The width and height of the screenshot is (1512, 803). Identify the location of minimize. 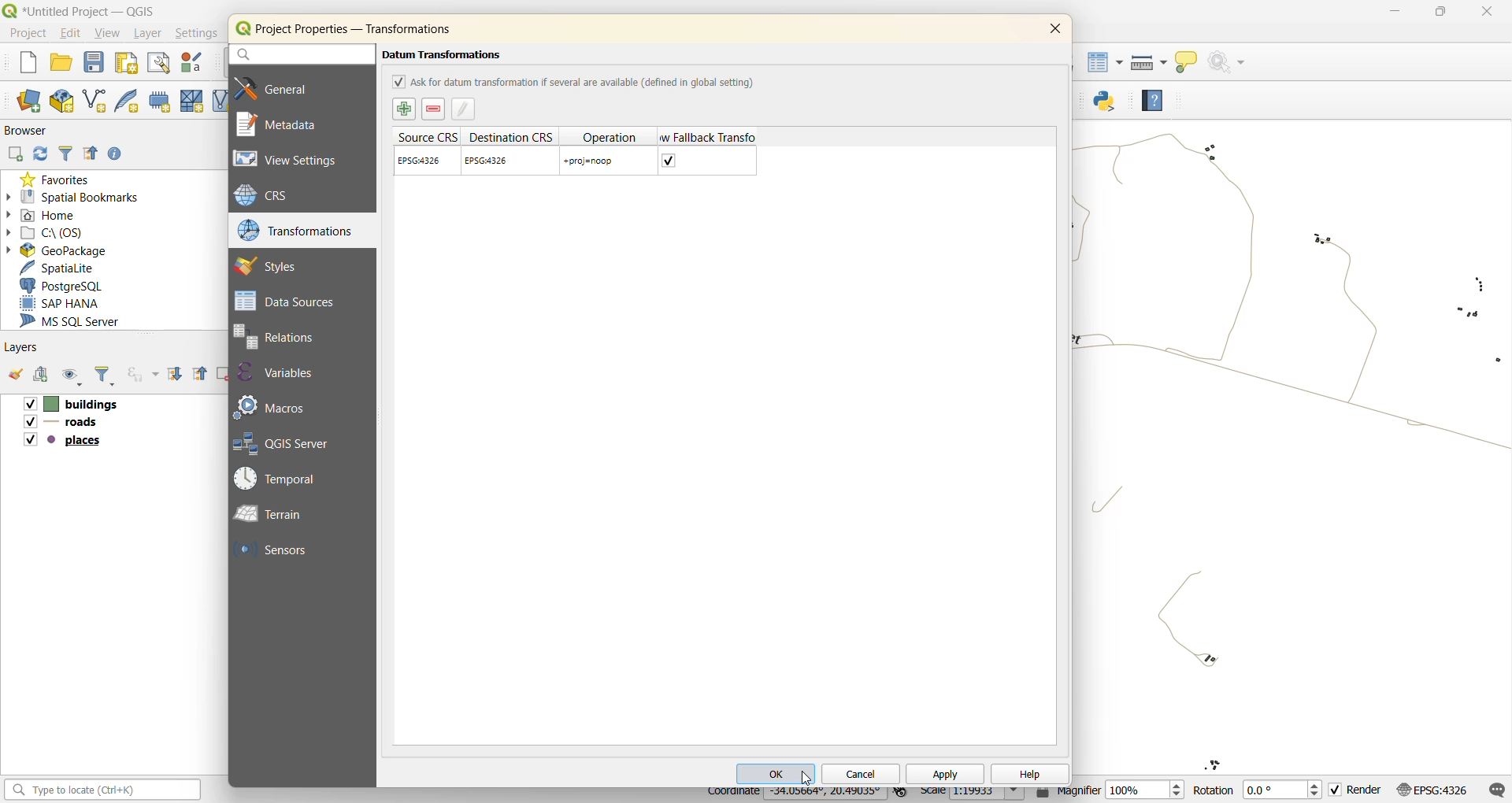
(1392, 13).